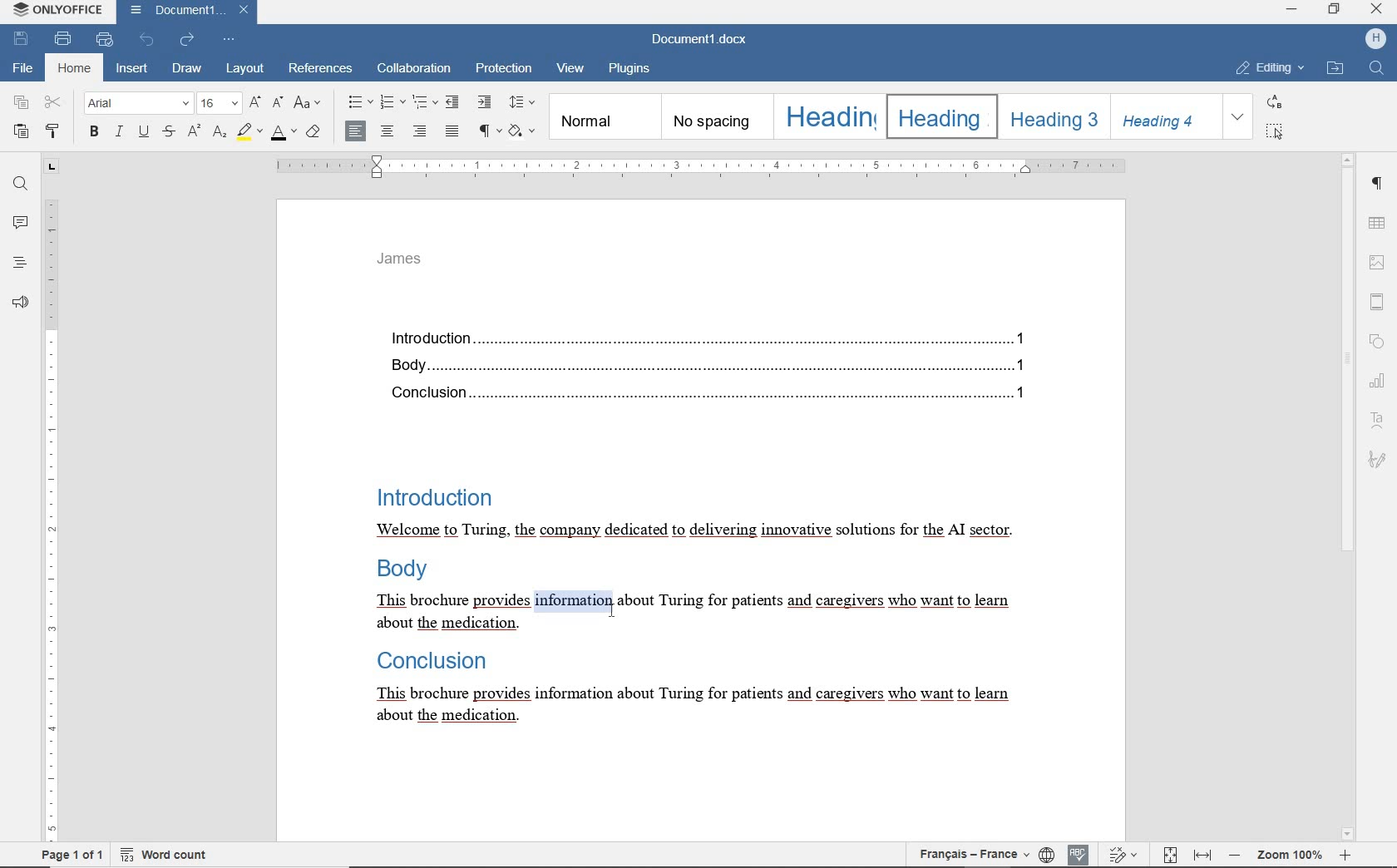  I want to click on CHANGE CASE, so click(309, 104).